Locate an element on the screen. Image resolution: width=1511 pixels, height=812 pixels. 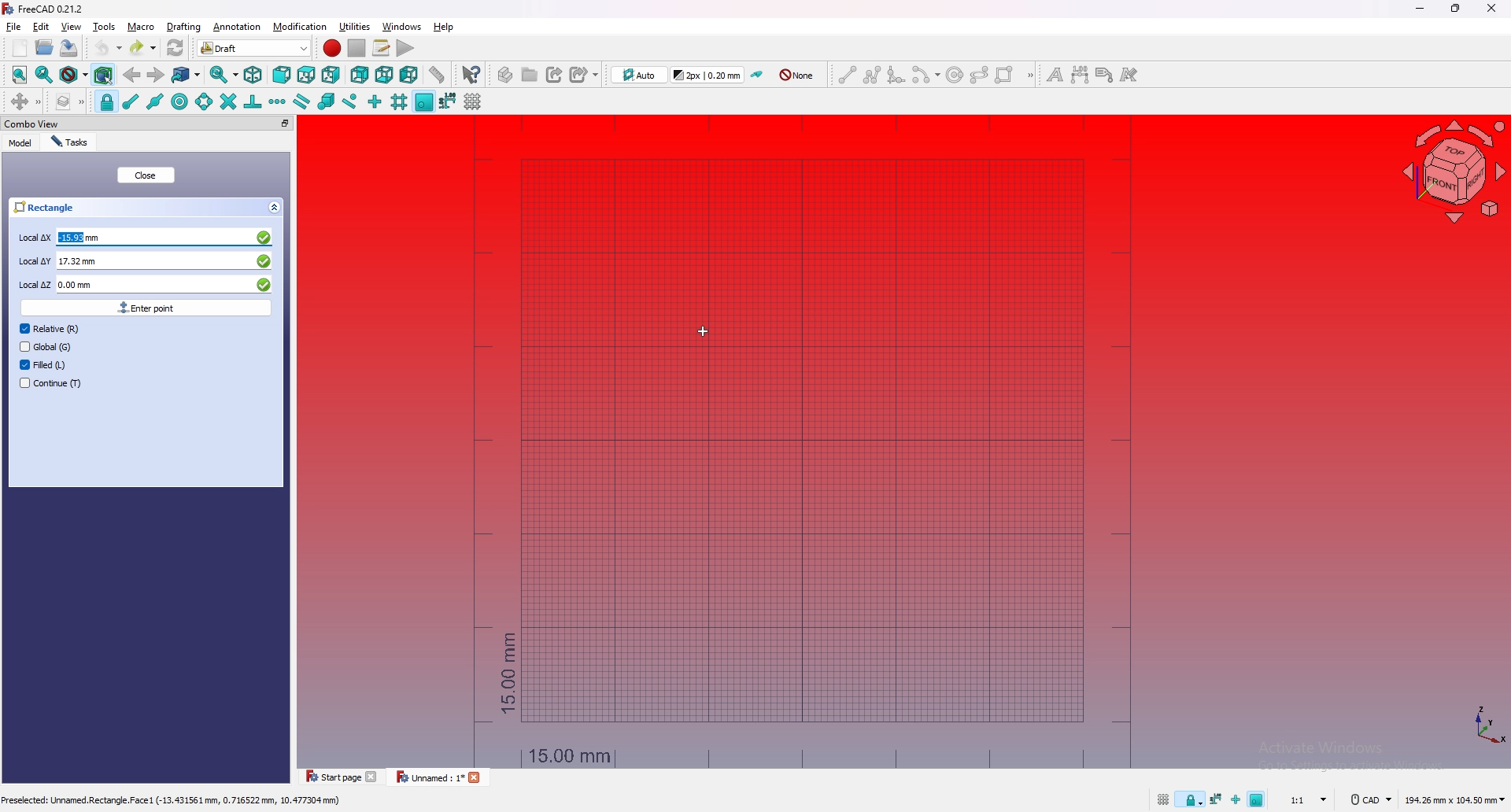
dimension is located at coordinates (1080, 75).